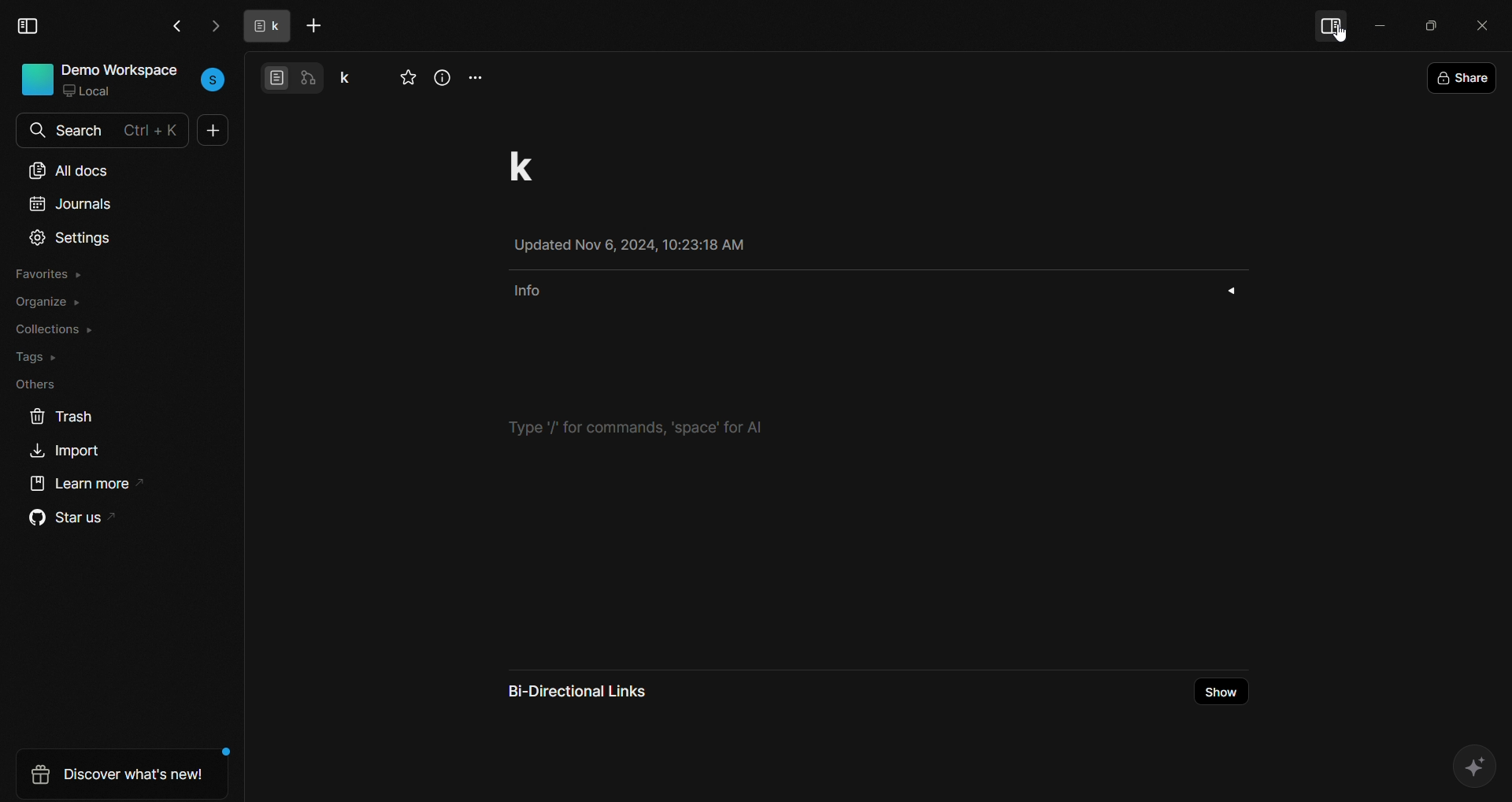 The image size is (1512, 802). What do you see at coordinates (49, 303) in the screenshot?
I see `organize` at bounding box center [49, 303].